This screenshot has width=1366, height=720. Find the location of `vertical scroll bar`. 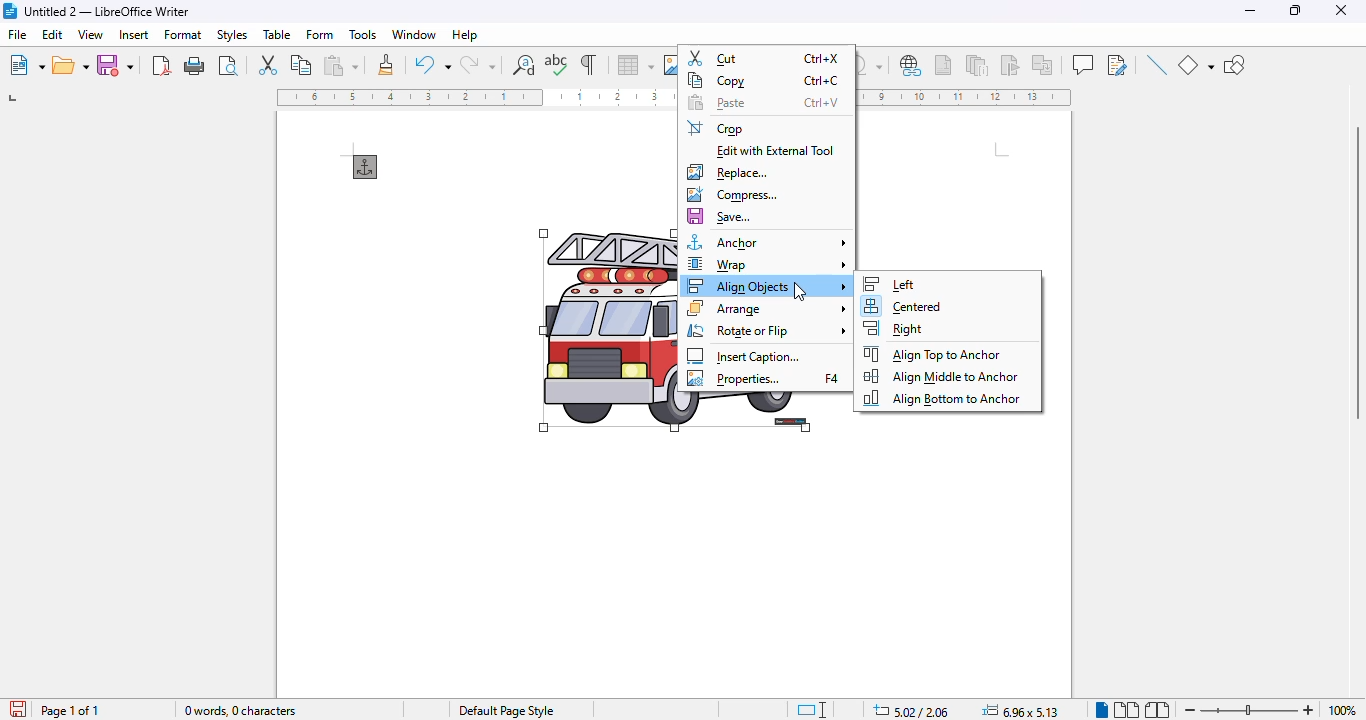

vertical scroll bar is located at coordinates (1356, 274).